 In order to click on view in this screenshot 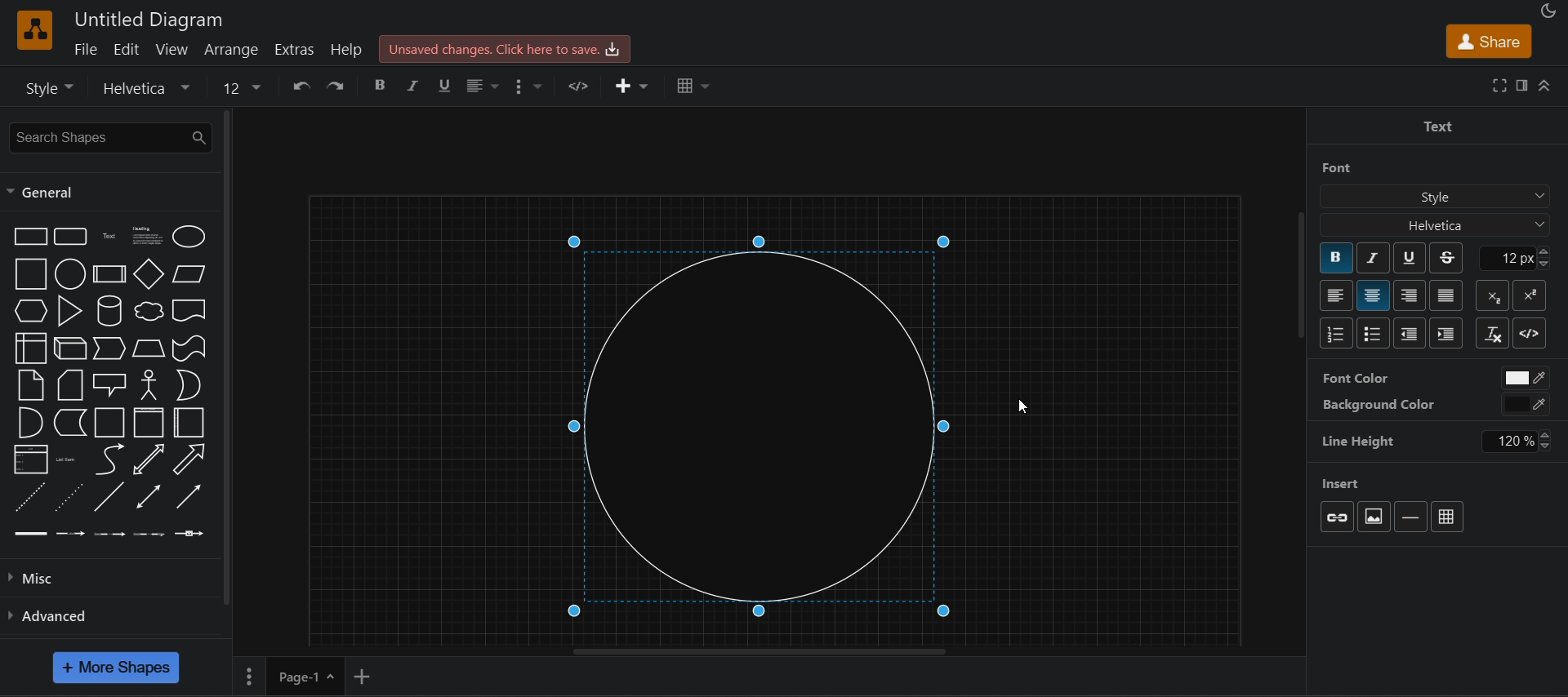, I will do `click(174, 51)`.